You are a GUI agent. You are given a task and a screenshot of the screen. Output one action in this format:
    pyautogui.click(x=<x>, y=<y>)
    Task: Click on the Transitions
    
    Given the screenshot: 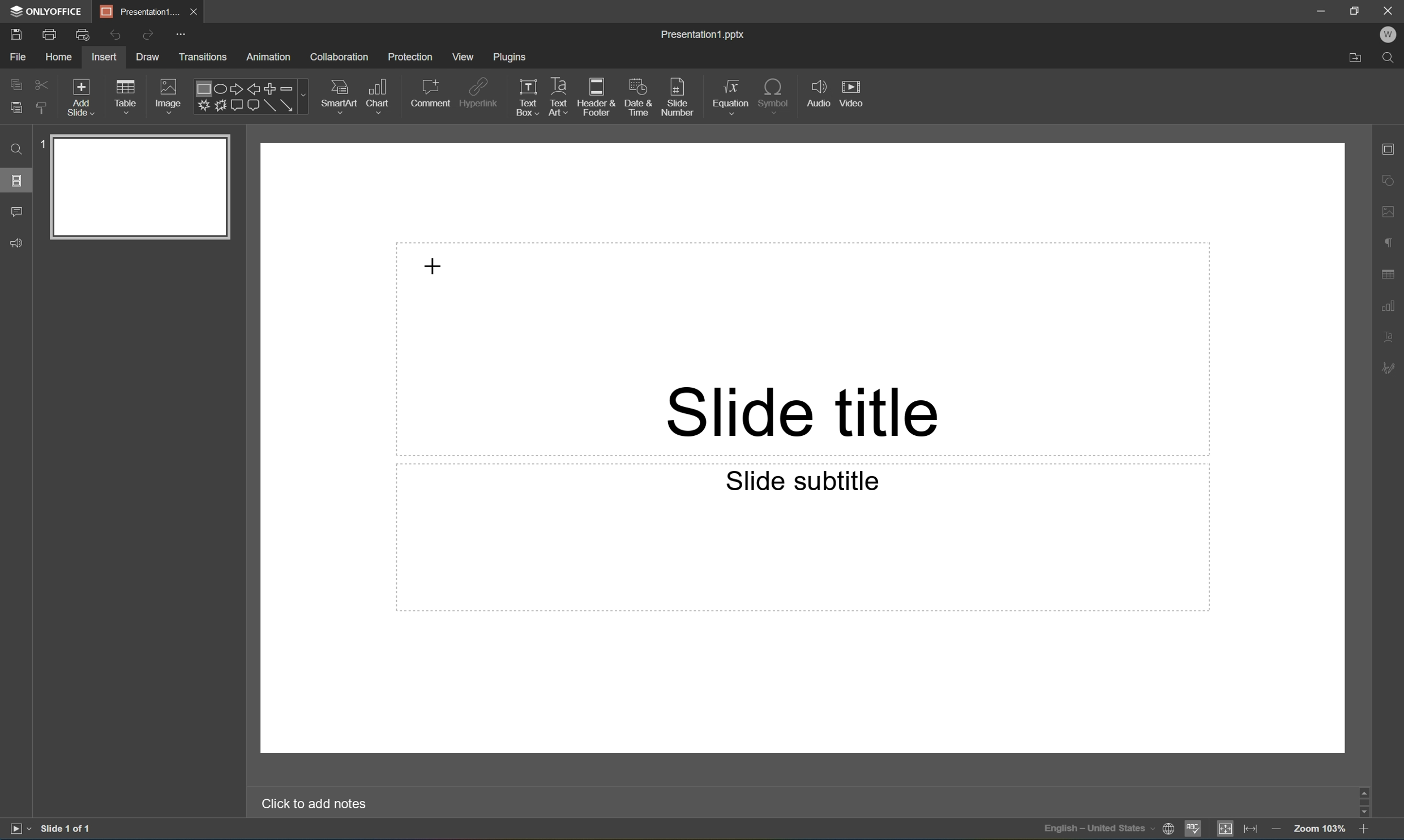 What is the action you would take?
    pyautogui.click(x=203, y=58)
    